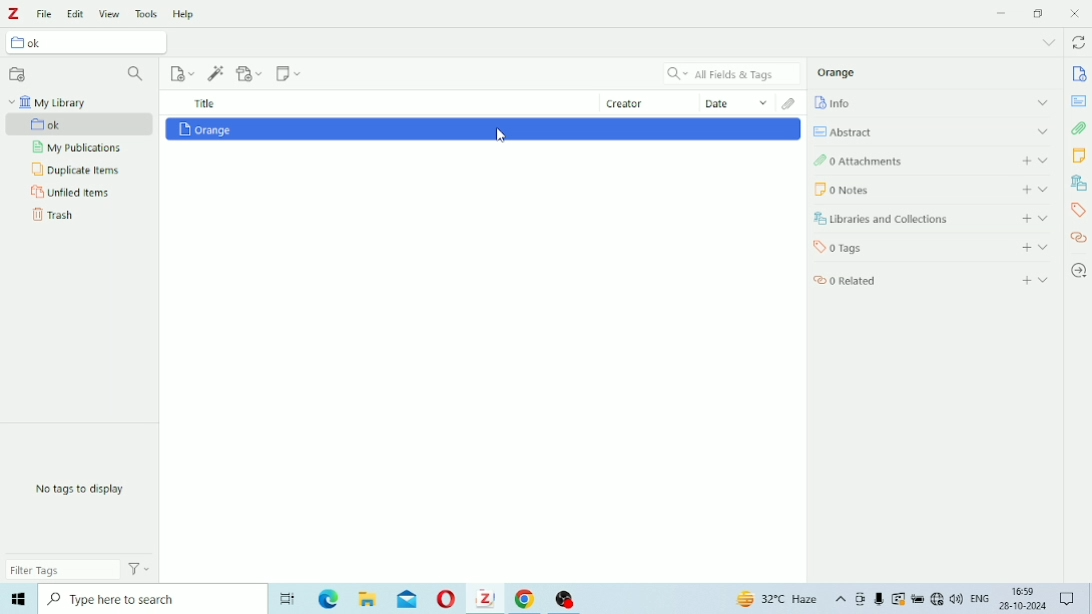 This screenshot has height=614, width=1092. I want to click on Opera Mini, so click(447, 600).